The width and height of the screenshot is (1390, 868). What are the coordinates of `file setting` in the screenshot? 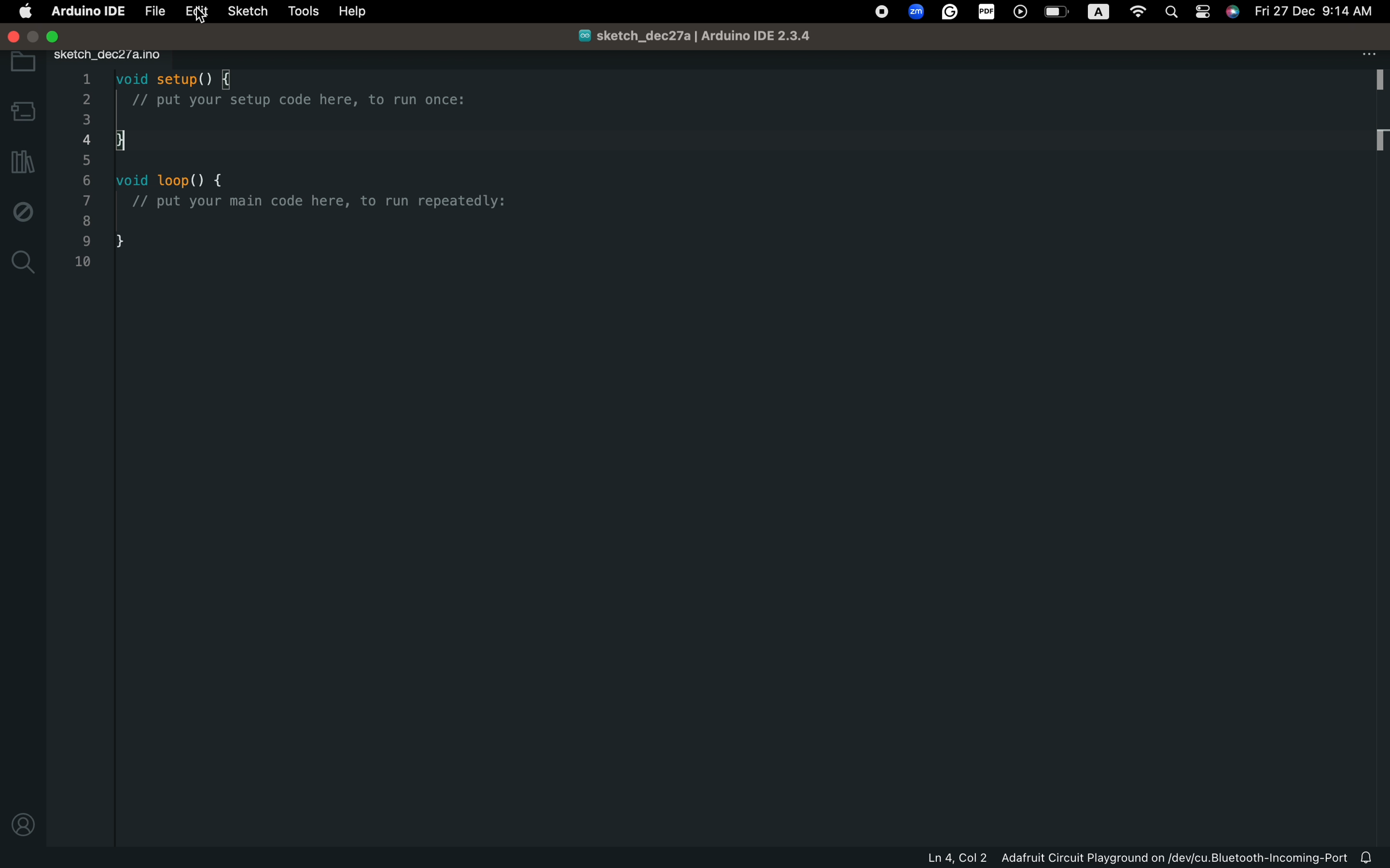 It's located at (1369, 55).